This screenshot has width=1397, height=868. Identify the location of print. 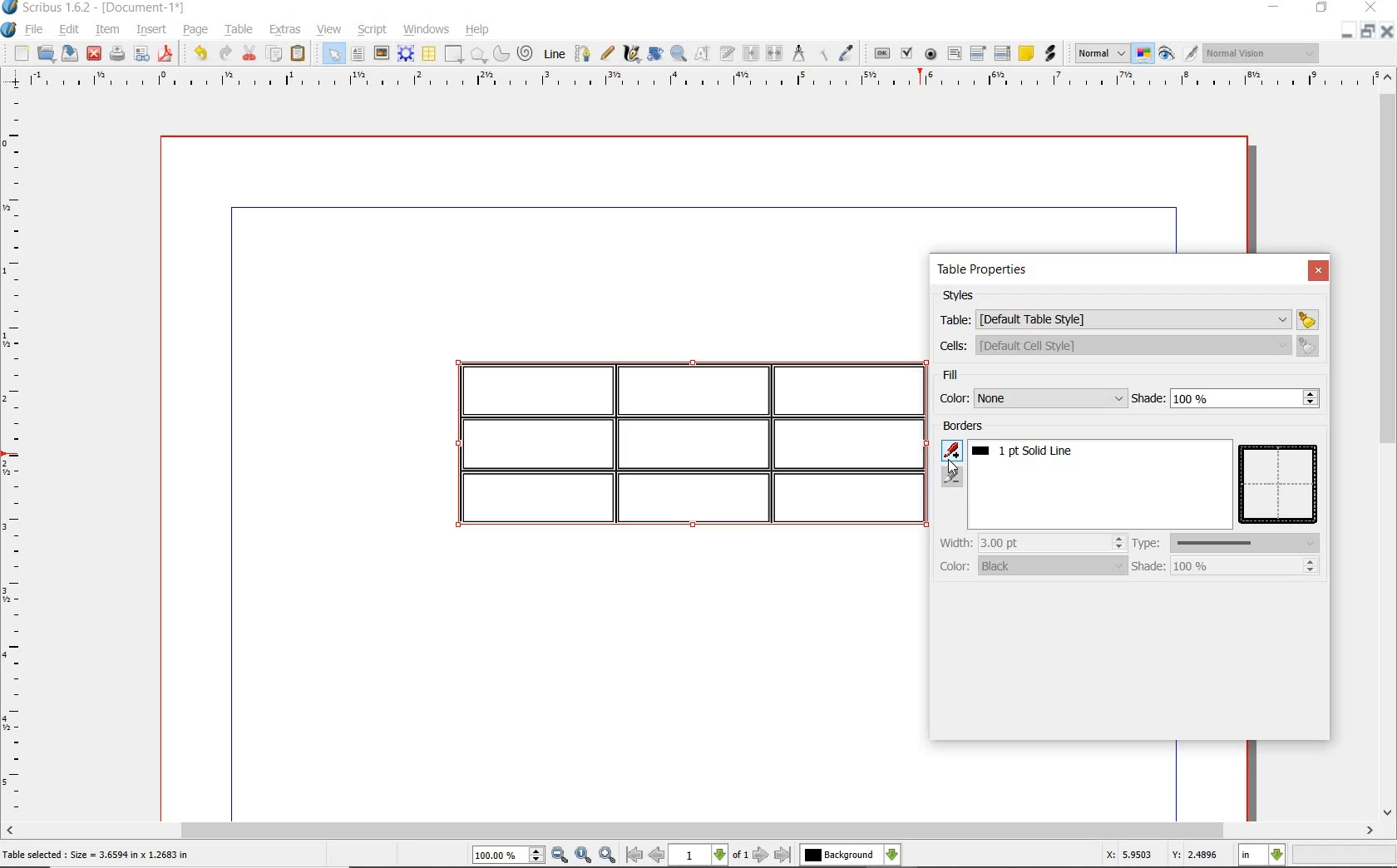
(118, 55).